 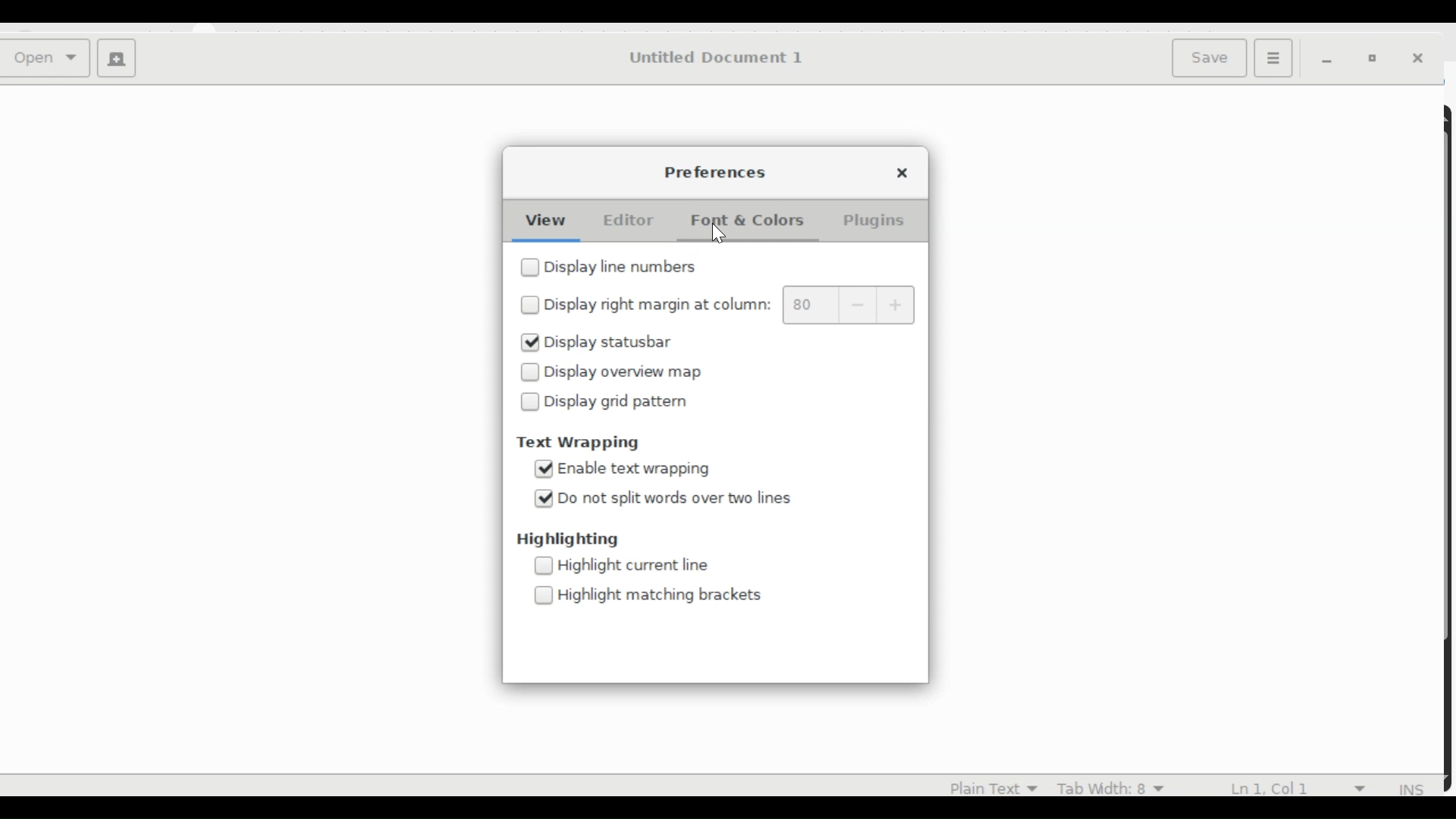 What do you see at coordinates (648, 469) in the screenshot?
I see `Enable text wrapping` at bounding box center [648, 469].